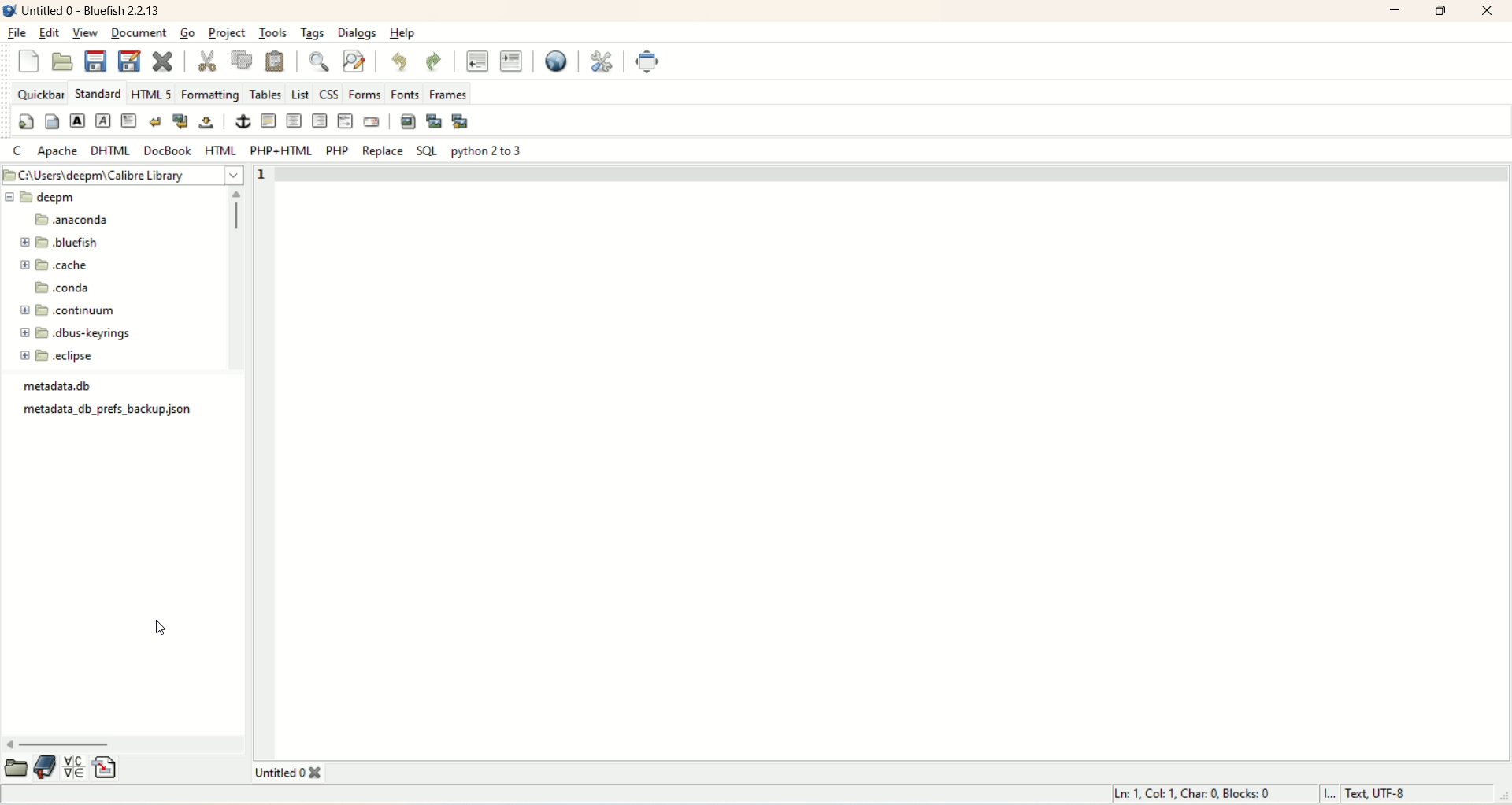  Describe the element at coordinates (432, 121) in the screenshot. I see `insert thumbnail` at that location.